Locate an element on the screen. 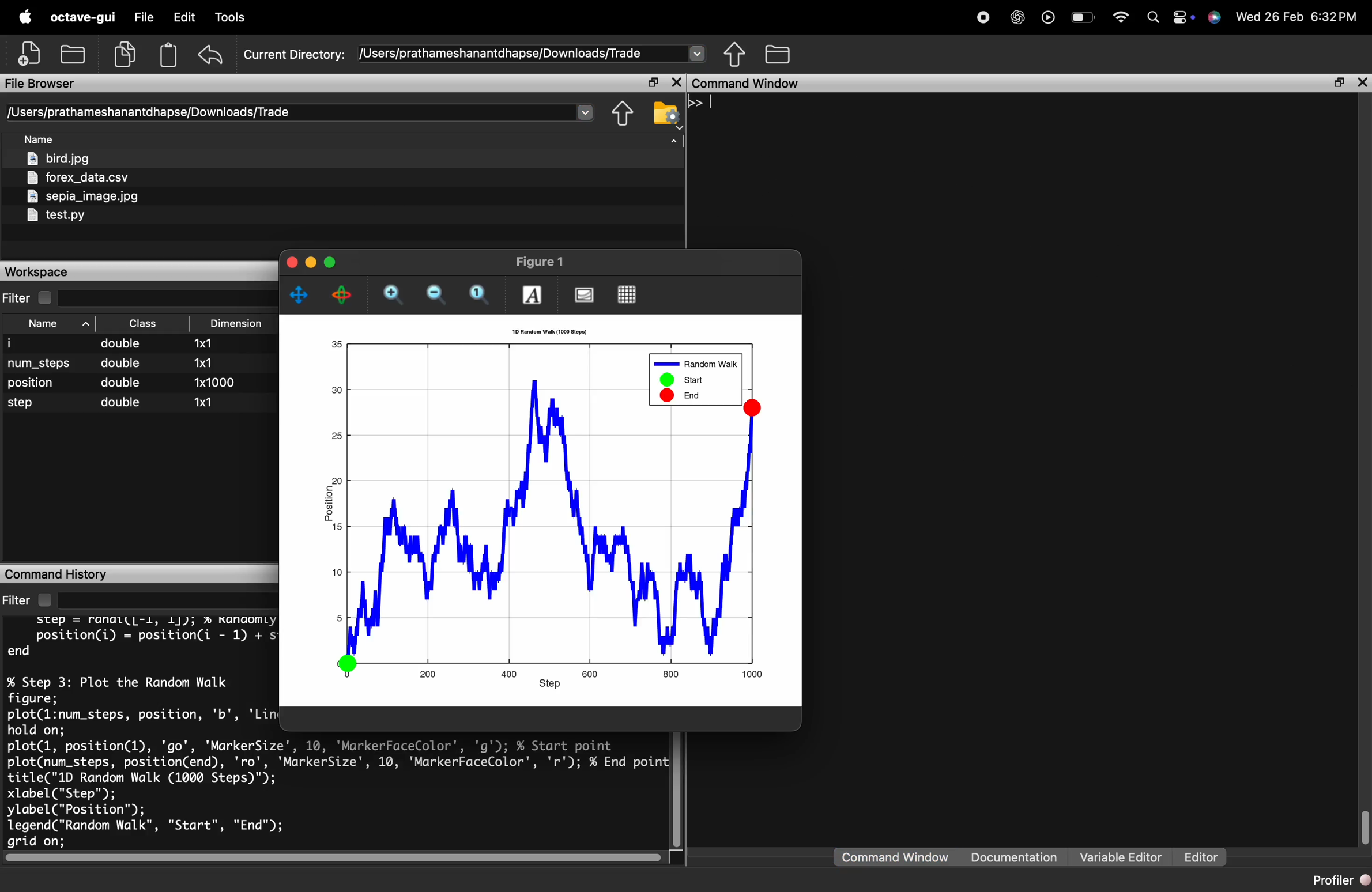 The width and height of the screenshot is (1372, 892). apple logo is located at coordinates (23, 16).